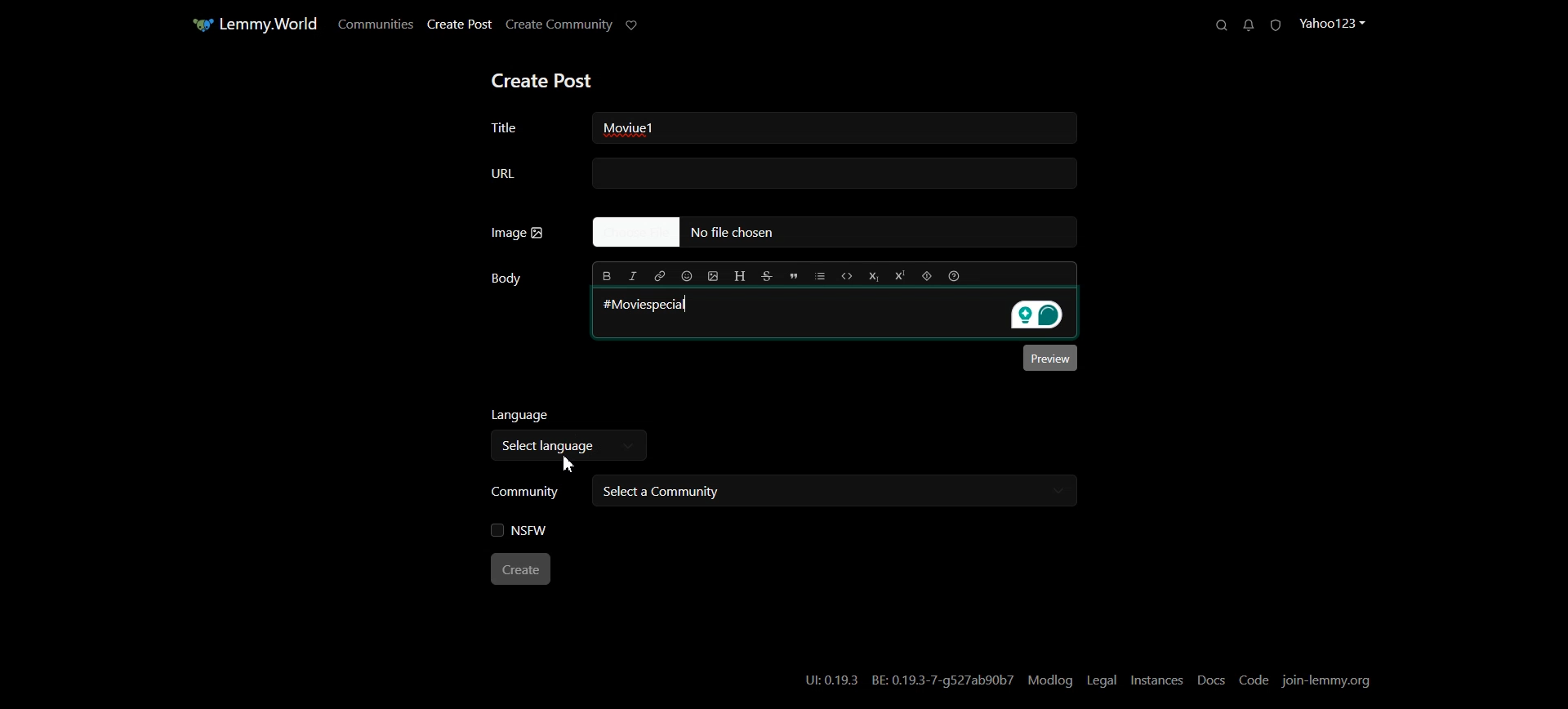 This screenshot has height=709, width=1568. What do you see at coordinates (526, 493) in the screenshot?
I see `Community` at bounding box center [526, 493].